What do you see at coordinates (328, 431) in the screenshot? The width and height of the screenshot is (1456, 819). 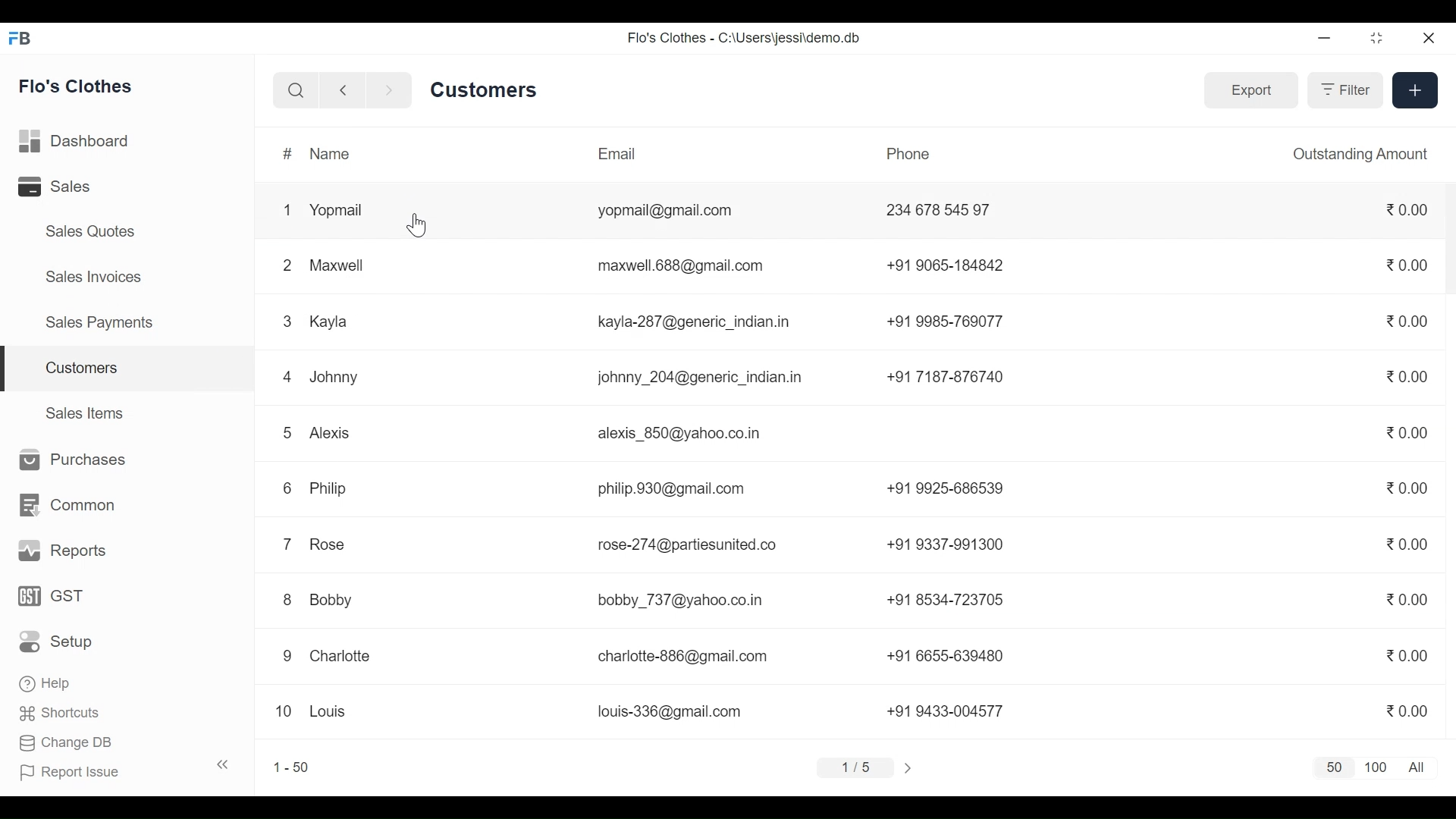 I see `Alexis` at bounding box center [328, 431].